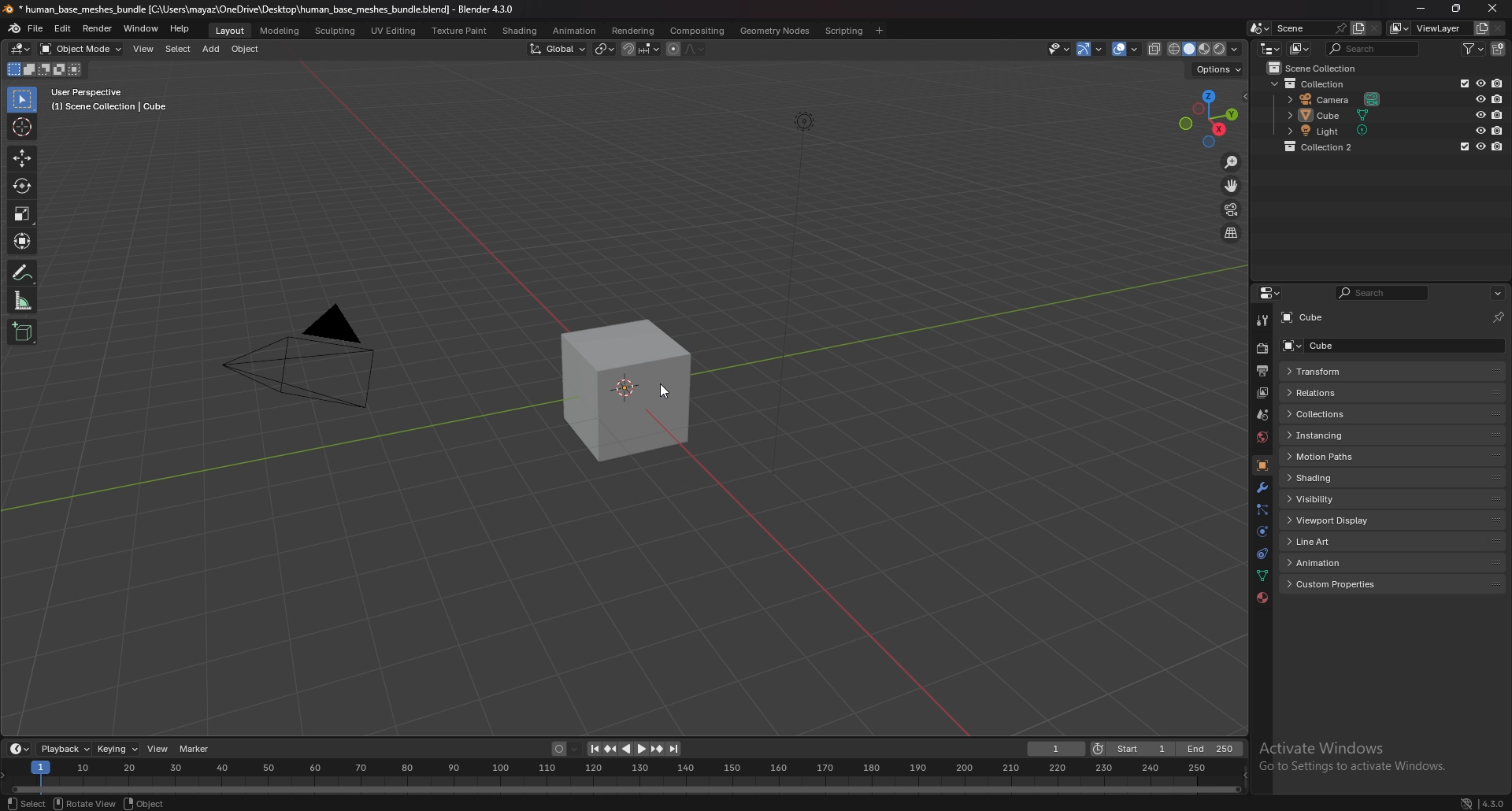 The height and width of the screenshot is (811, 1512). What do you see at coordinates (574, 30) in the screenshot?
I see `anination` at bounding box center [574, 30].